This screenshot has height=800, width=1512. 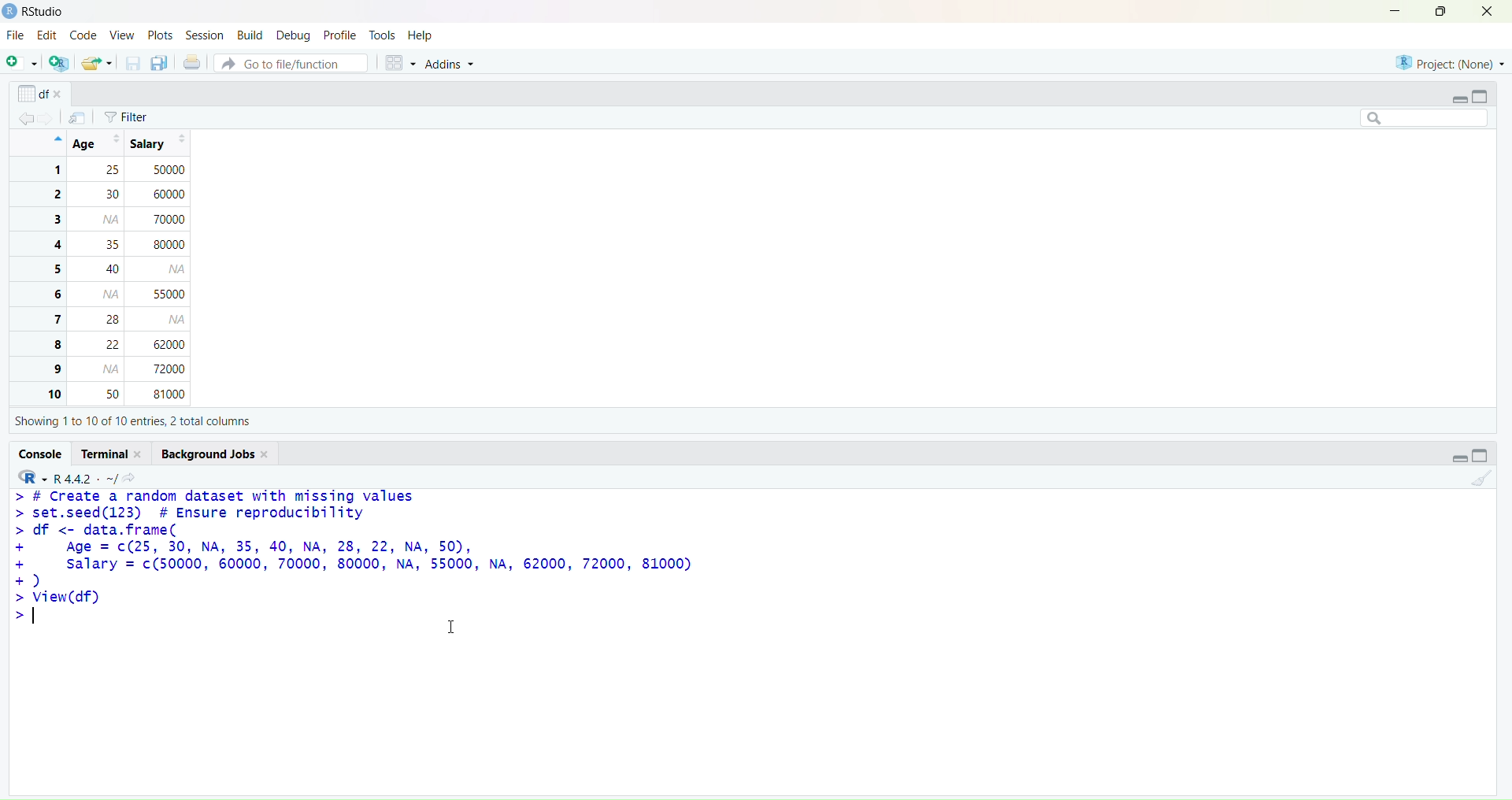 I want to click on print the current file, so click(x=193, y=64).